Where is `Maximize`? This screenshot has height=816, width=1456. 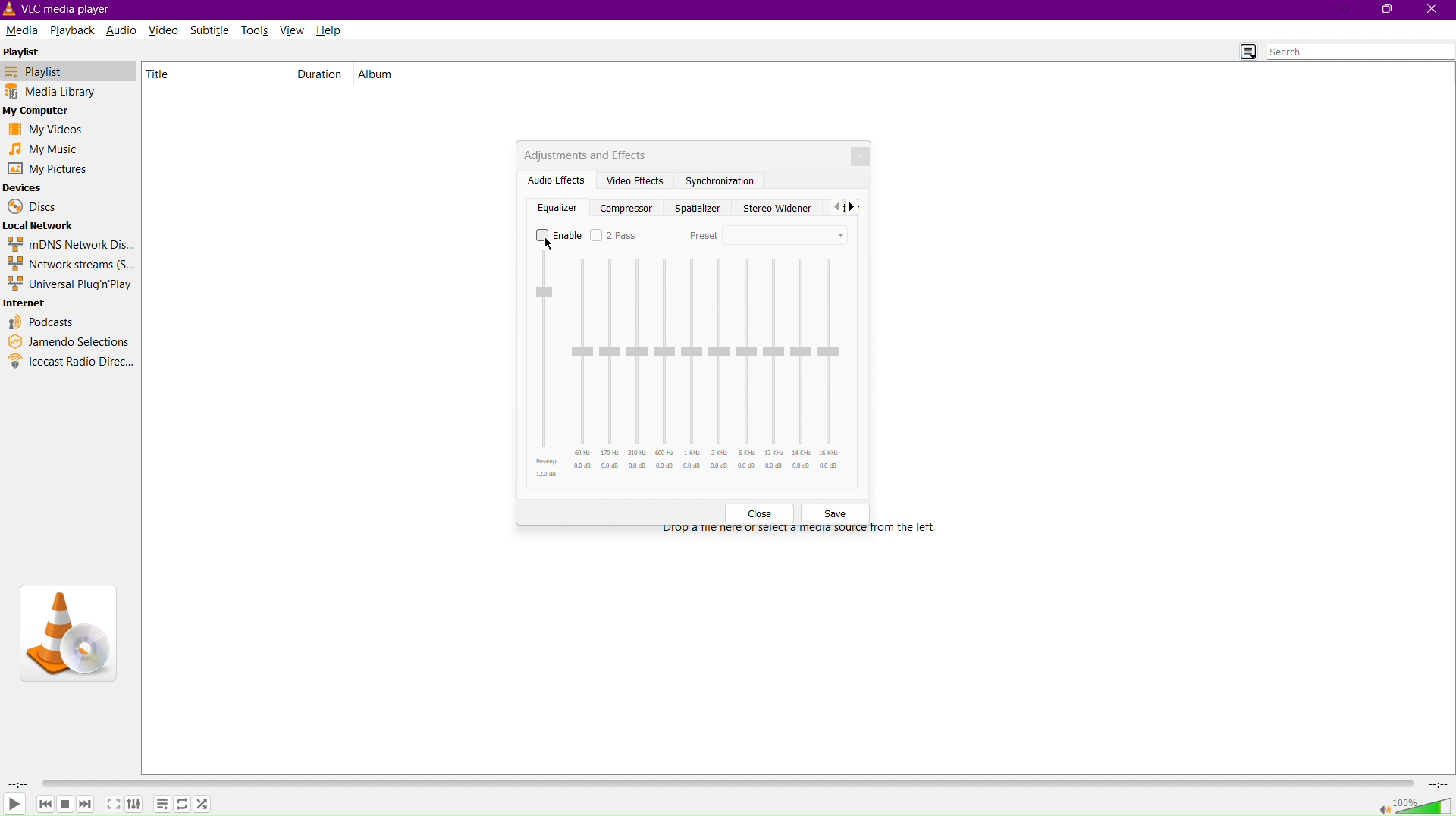
Maximize is located at coordinates (1387, 9).